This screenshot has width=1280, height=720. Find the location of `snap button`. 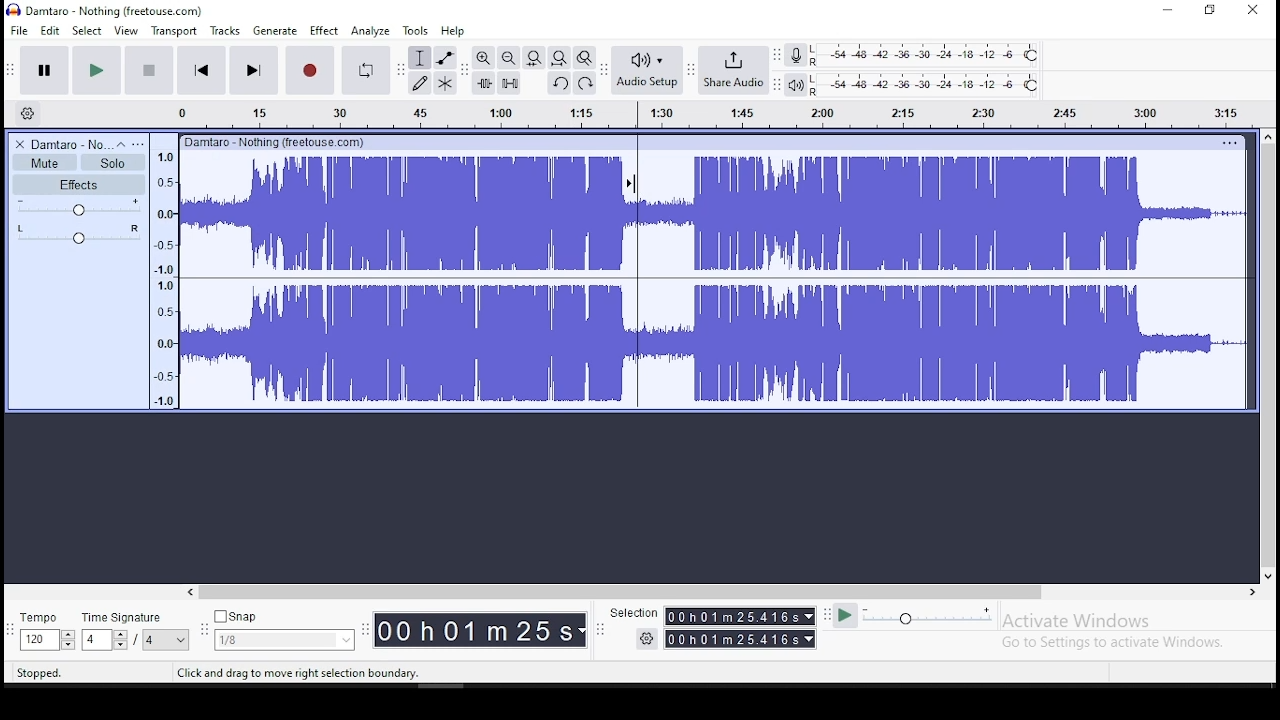

snap button is located at coordinates (235, 616).